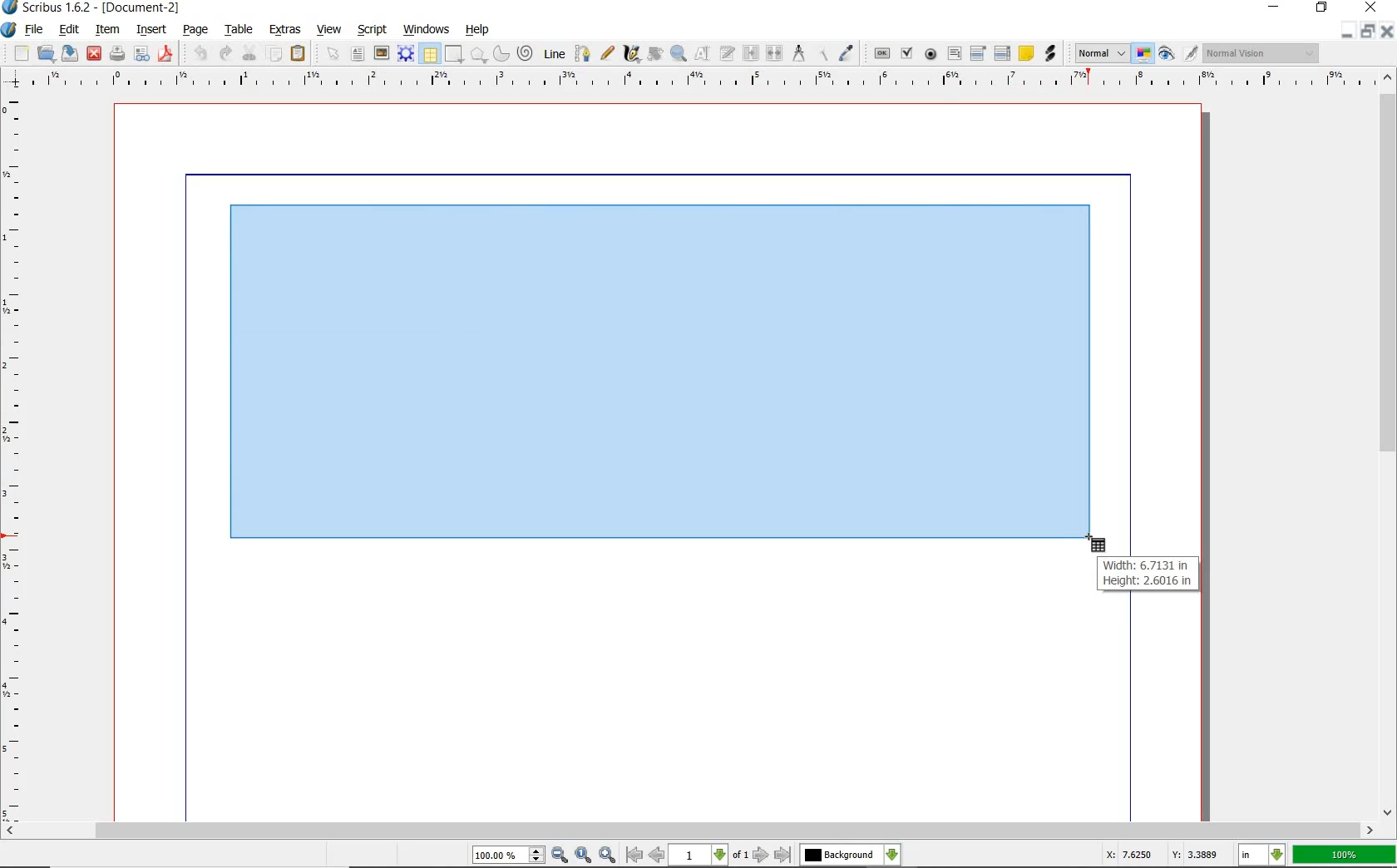  Describe the element at coordinates (608, 54) in the screenshot. I see `freehand line` at that location.